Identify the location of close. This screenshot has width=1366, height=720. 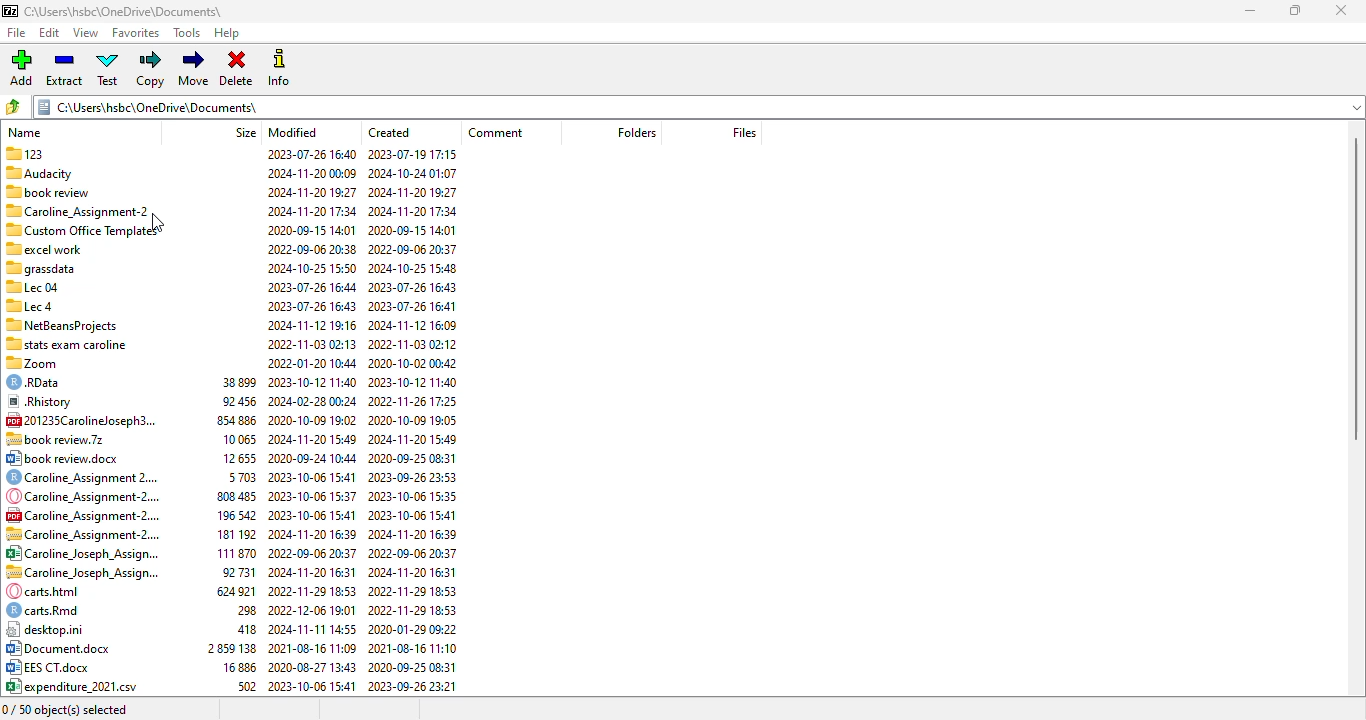
(1342, 10).